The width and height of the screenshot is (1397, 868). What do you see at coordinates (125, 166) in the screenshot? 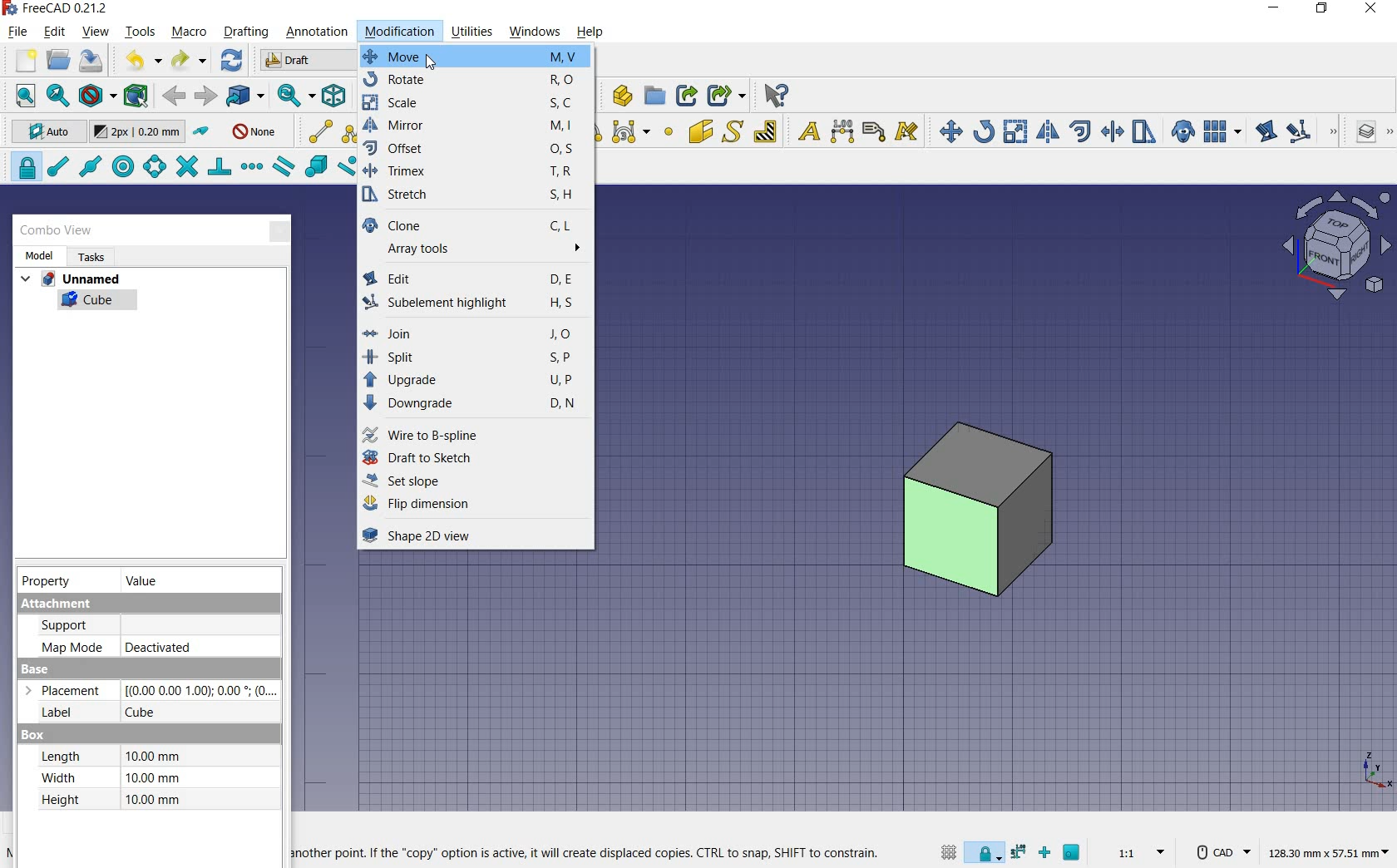
I see `snap center` at bounding box center [125, 166].